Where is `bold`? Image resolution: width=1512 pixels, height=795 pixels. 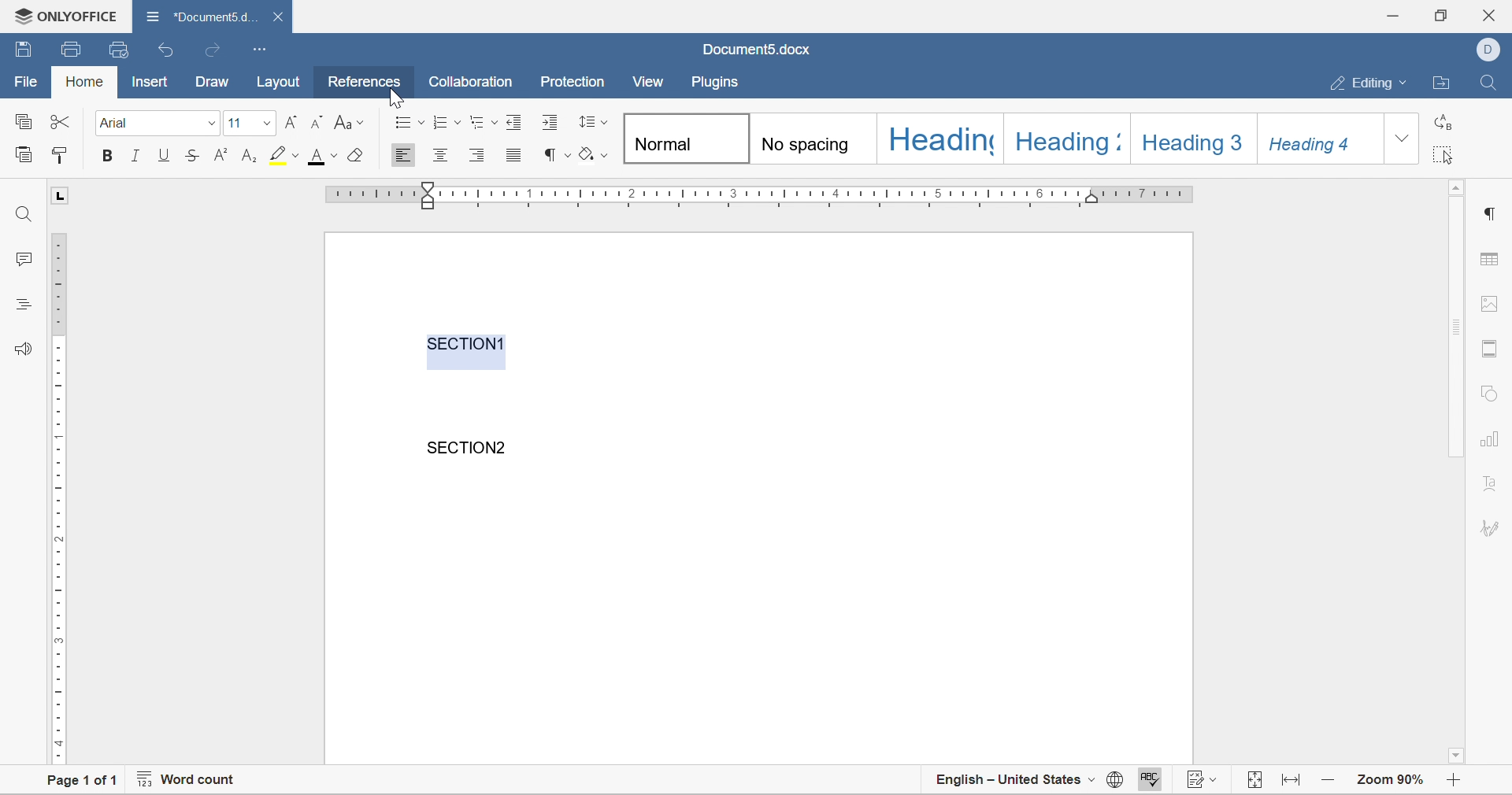
bold is located at coordinates (105, 156).